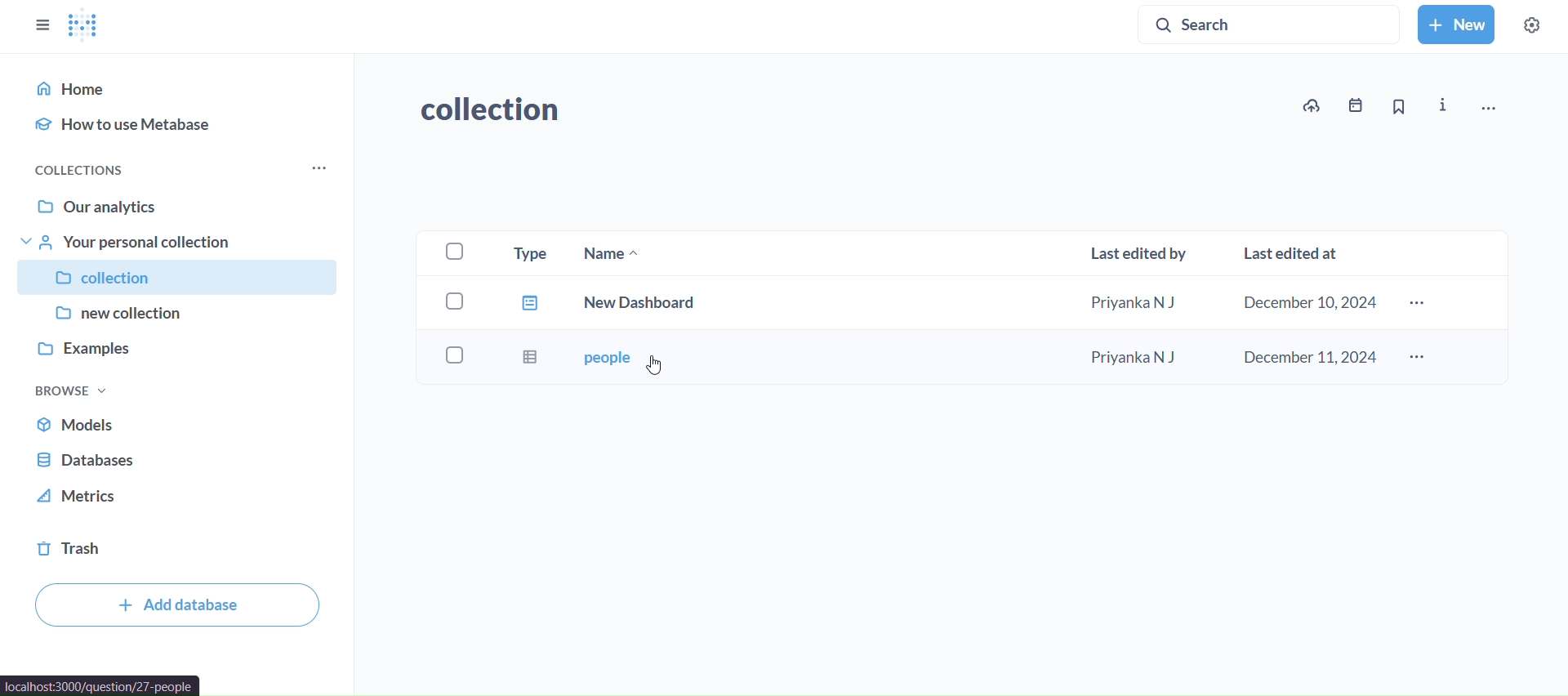  Describe the element at coordinates (1138, 357) in the screenshot. I see `Priyanka N J` at that location.